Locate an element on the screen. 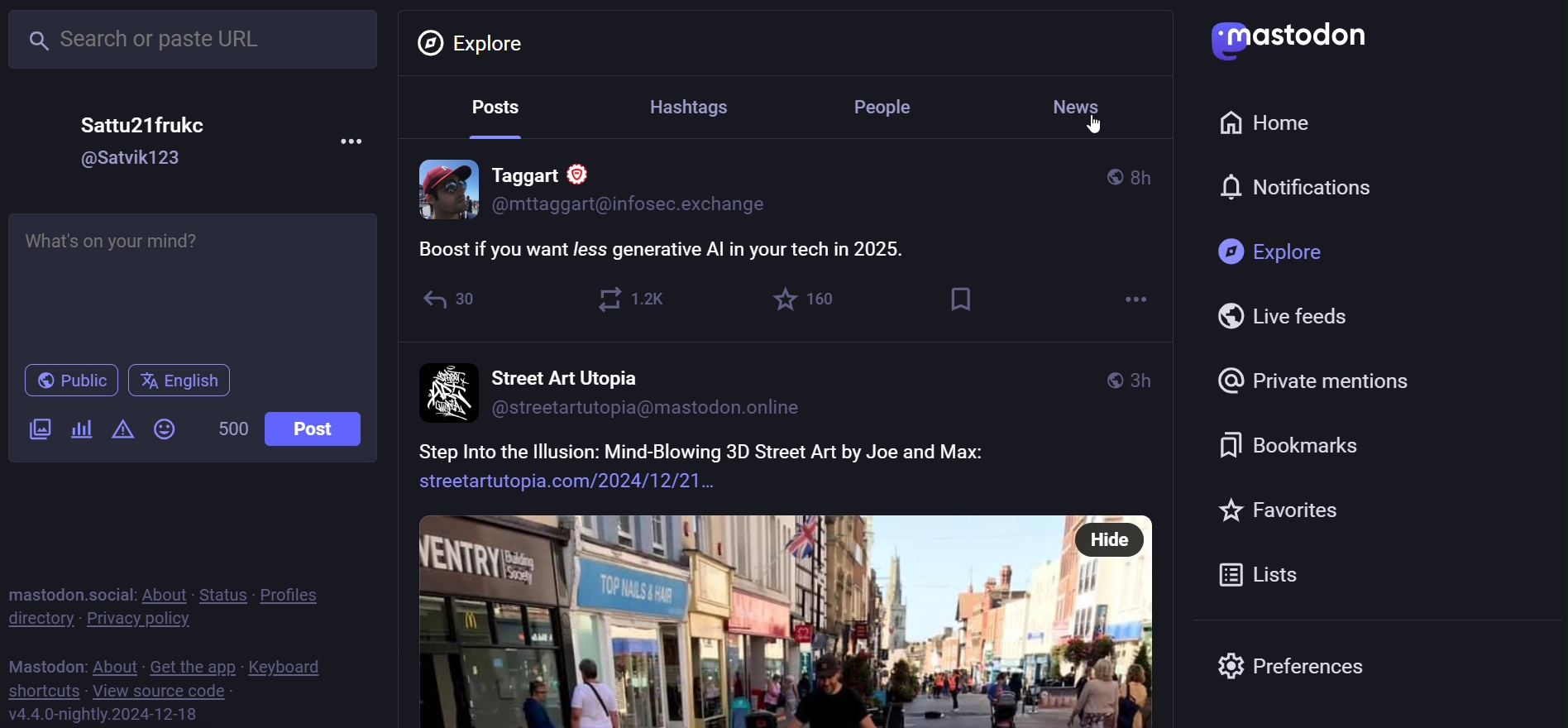  keyboard is located at coordinates (288, 666).